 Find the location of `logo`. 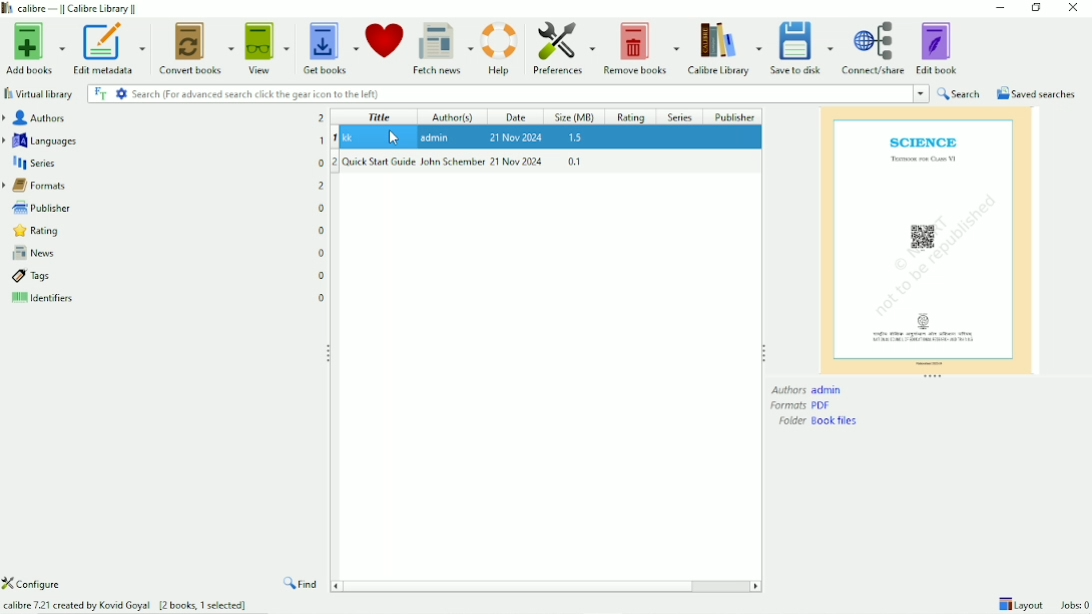

logo is located at coordinates (8, 9).